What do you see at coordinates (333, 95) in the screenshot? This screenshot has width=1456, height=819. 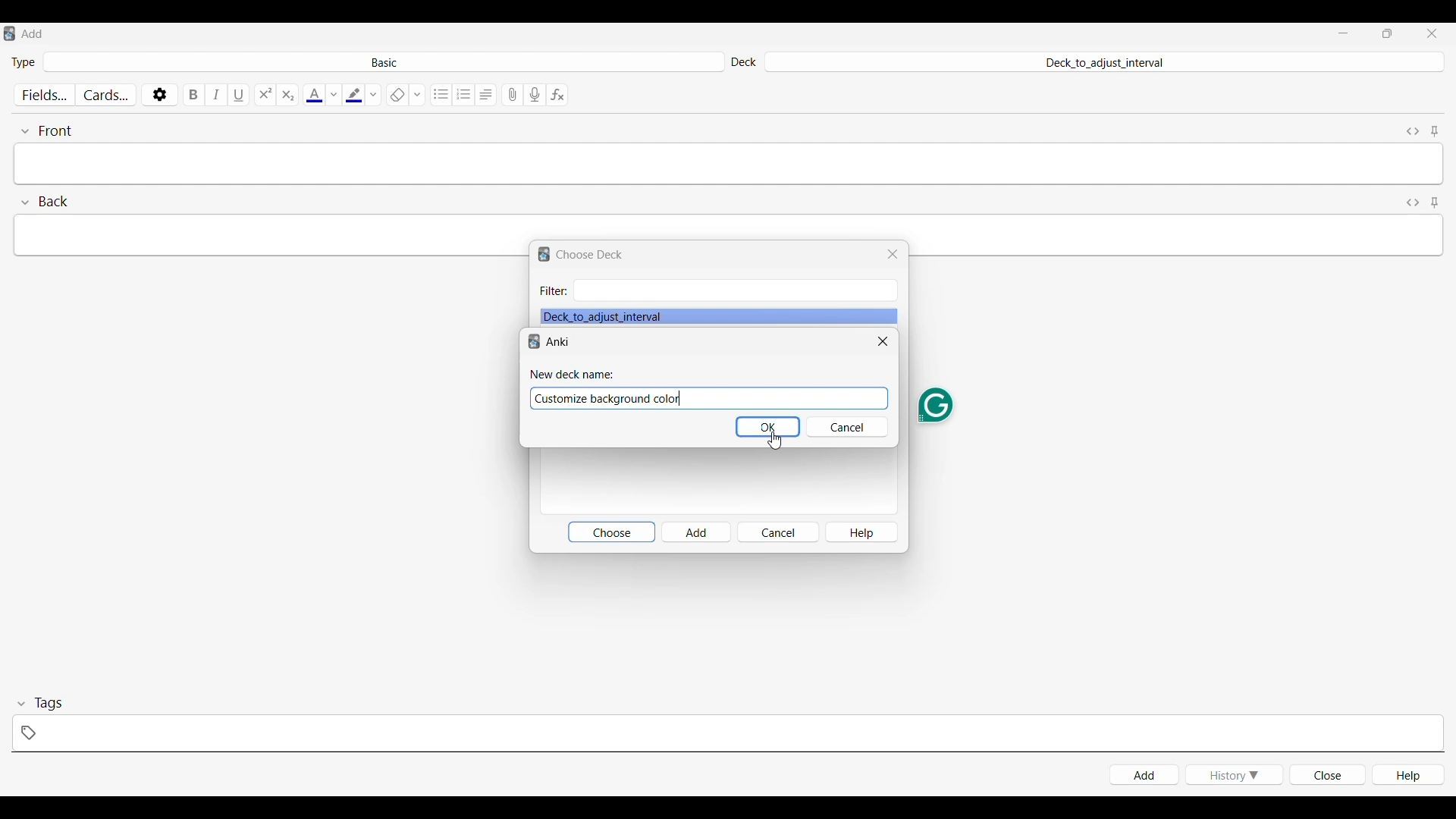 I see `Text color options` at bounding box center [333, 95].